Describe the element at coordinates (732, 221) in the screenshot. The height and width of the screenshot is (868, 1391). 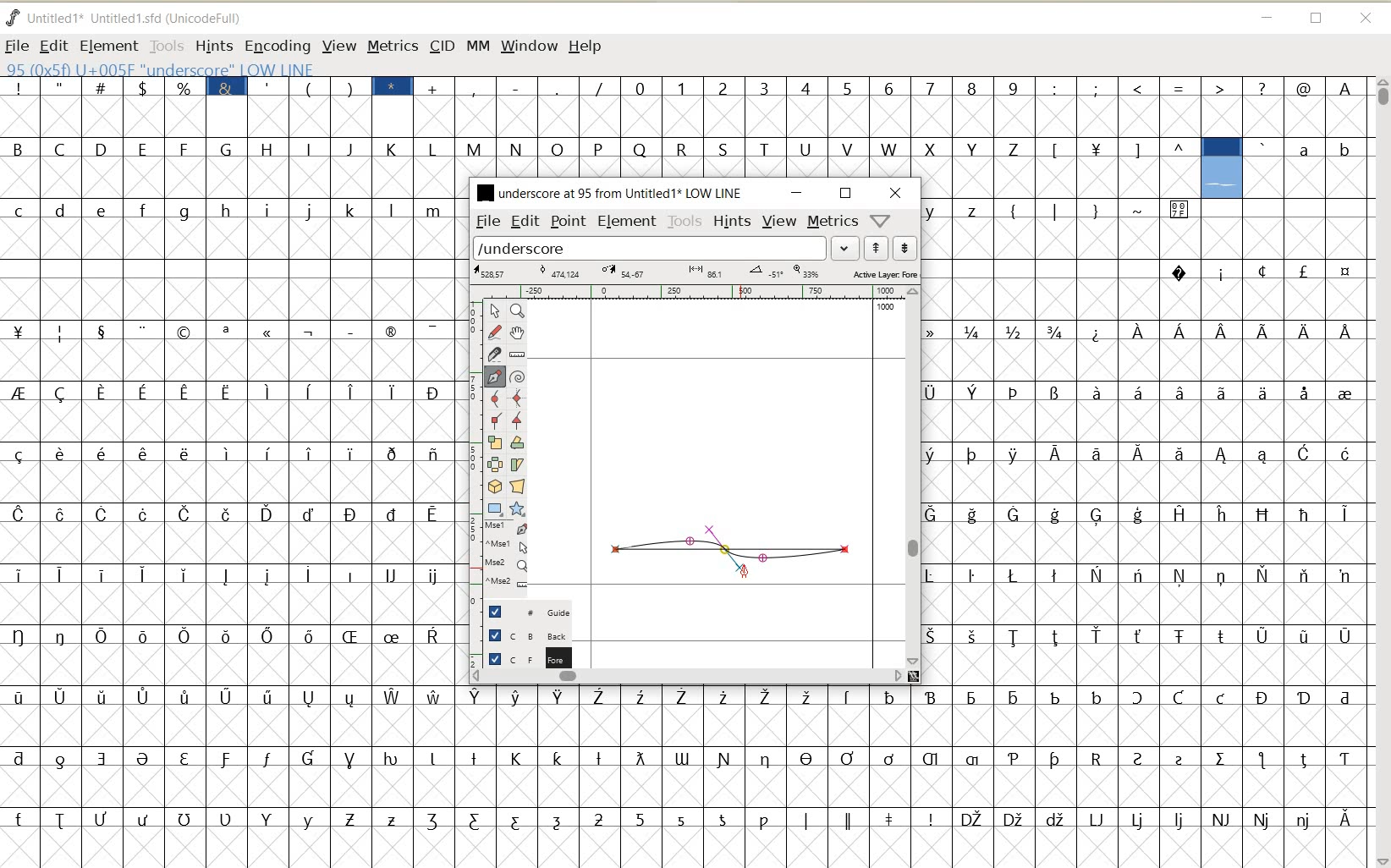
I see `HINTS` at that location.